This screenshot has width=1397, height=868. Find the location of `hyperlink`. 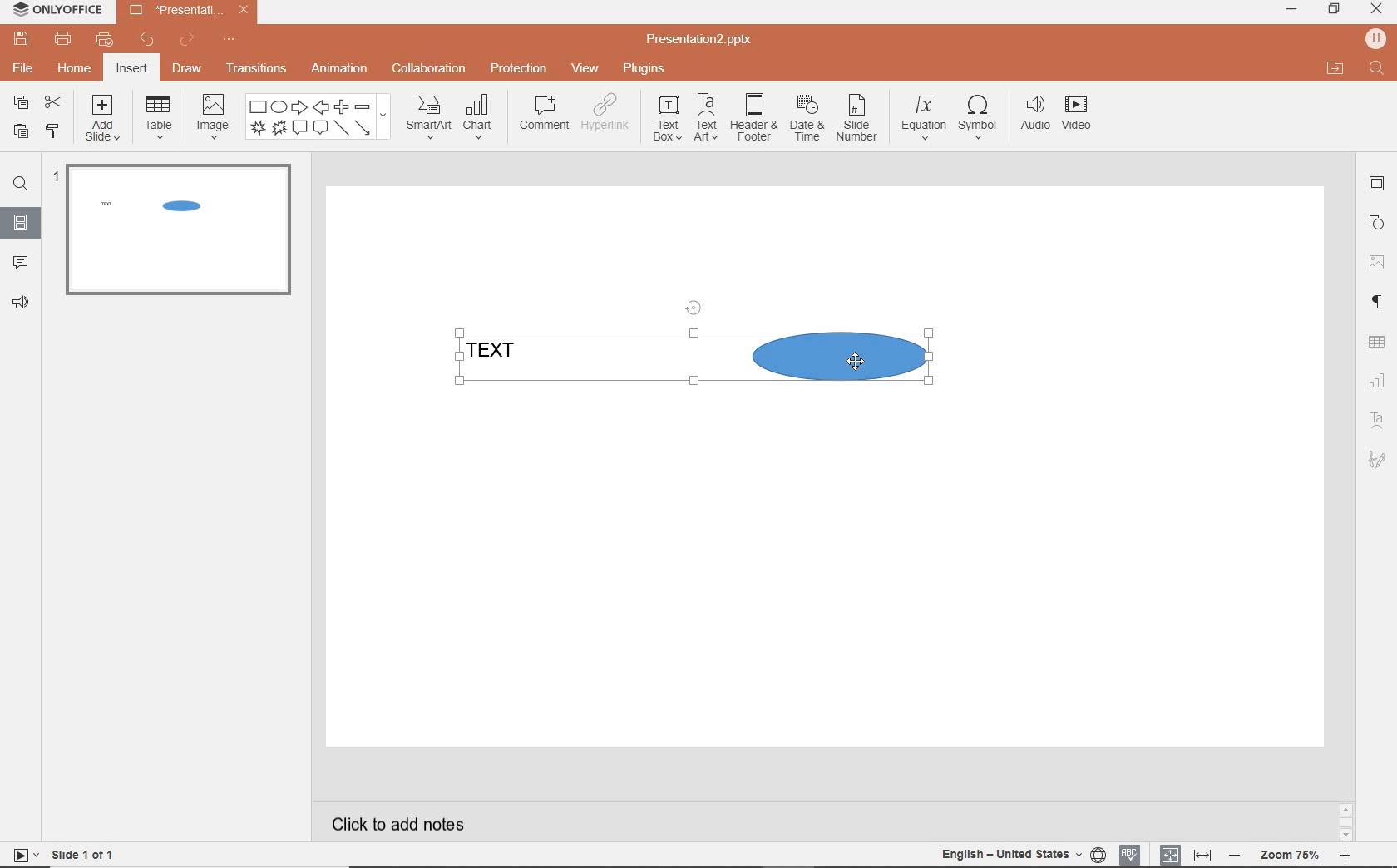

hyperlink is located at coordinates (606, 114).